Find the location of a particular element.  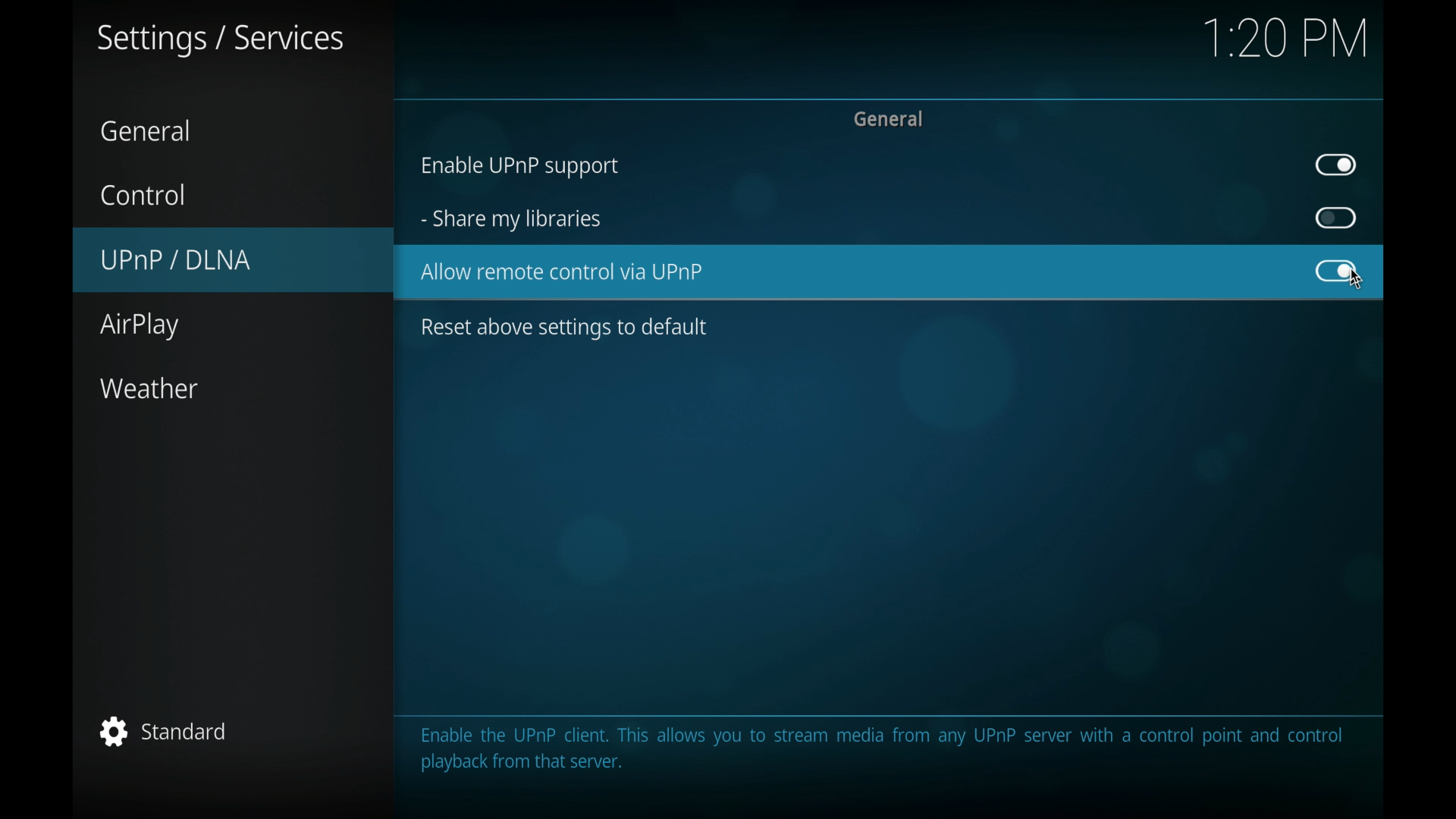

general is located at coordinates (149, 131).